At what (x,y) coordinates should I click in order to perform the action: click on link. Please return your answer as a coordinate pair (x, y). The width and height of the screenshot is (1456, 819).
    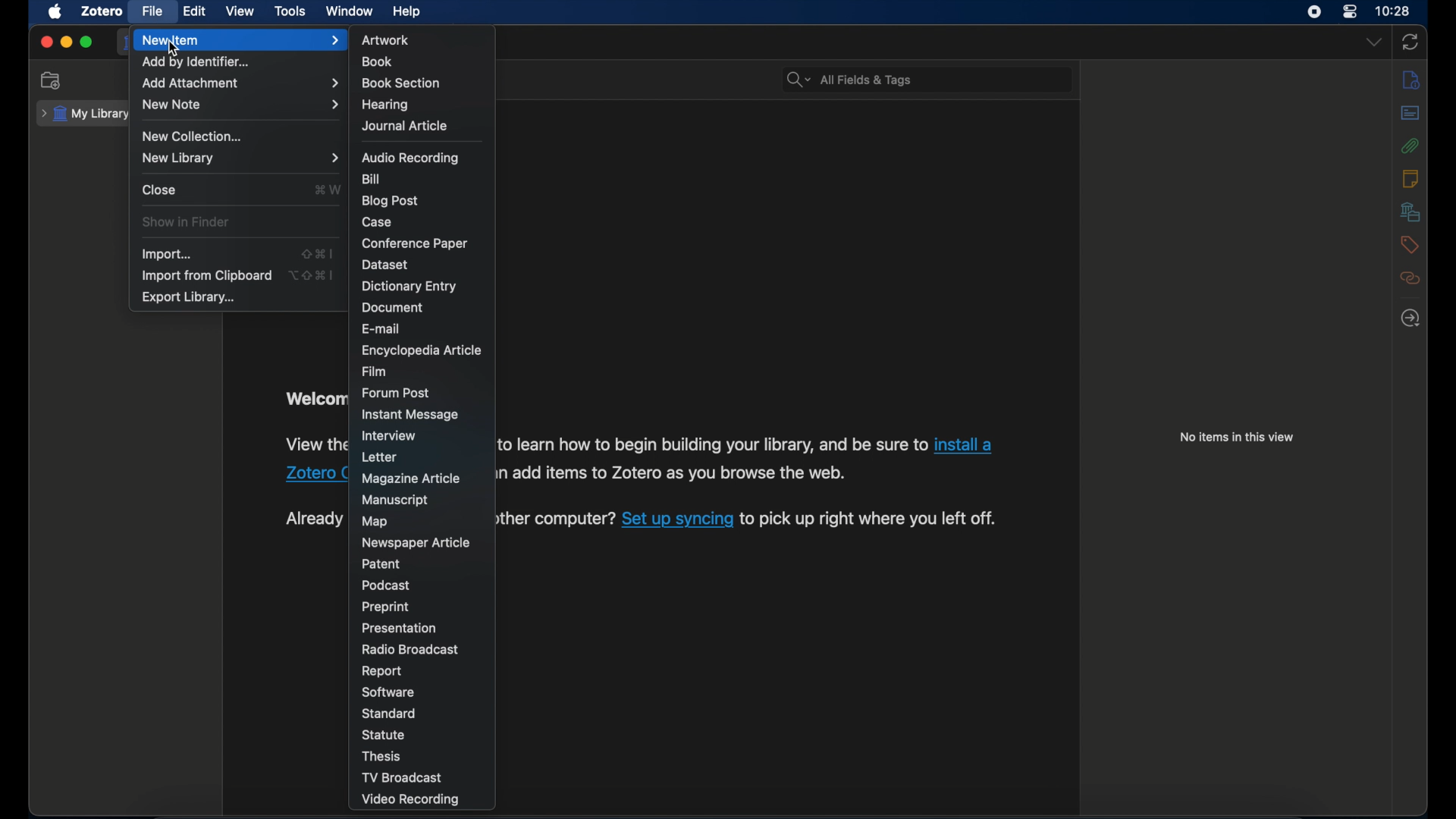
    Looking at the image, I should click on (964, 444).